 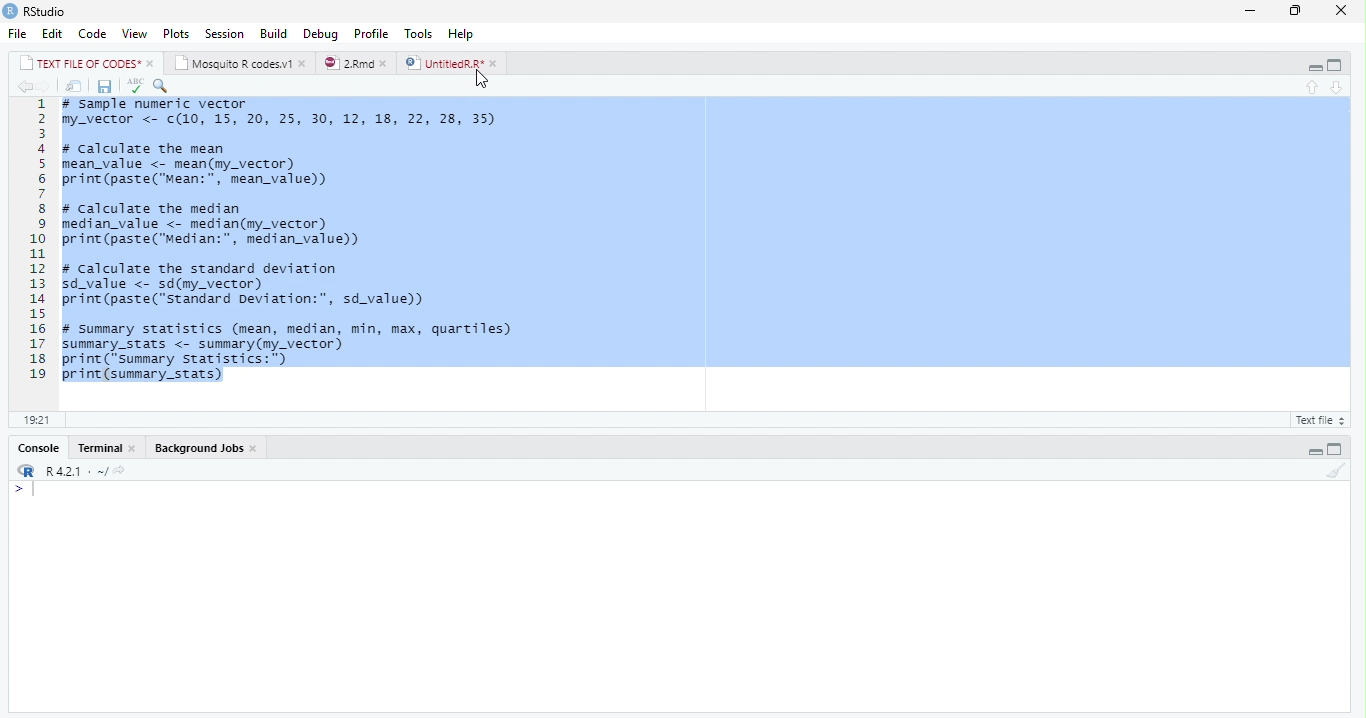 What do you see at coordinates (321, 33) in the screenshot?
I see `debug` at bounding box center [321, 33].